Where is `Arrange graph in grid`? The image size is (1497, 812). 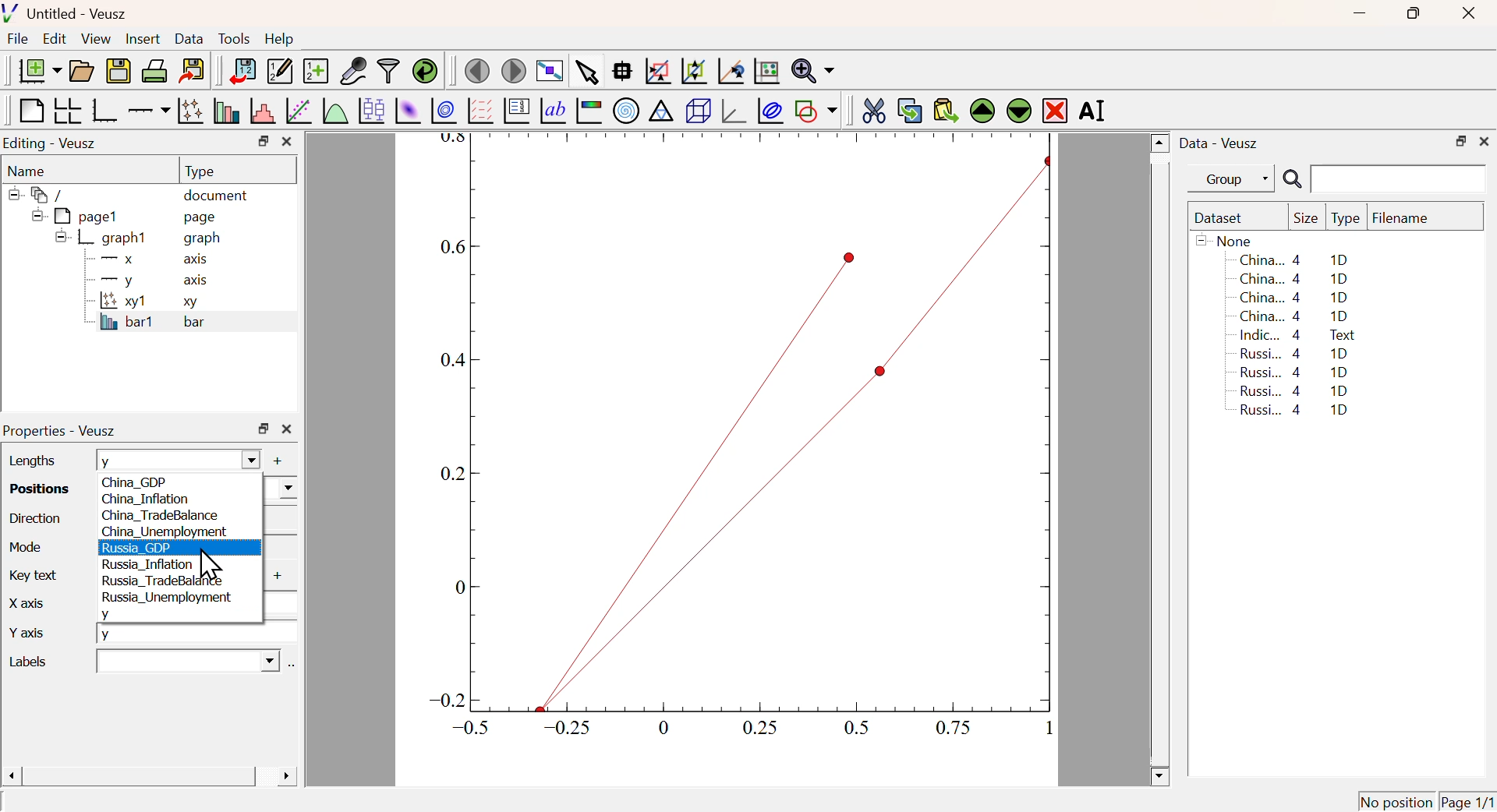
Arrange graph in grid is located at coordinates (66, 110).